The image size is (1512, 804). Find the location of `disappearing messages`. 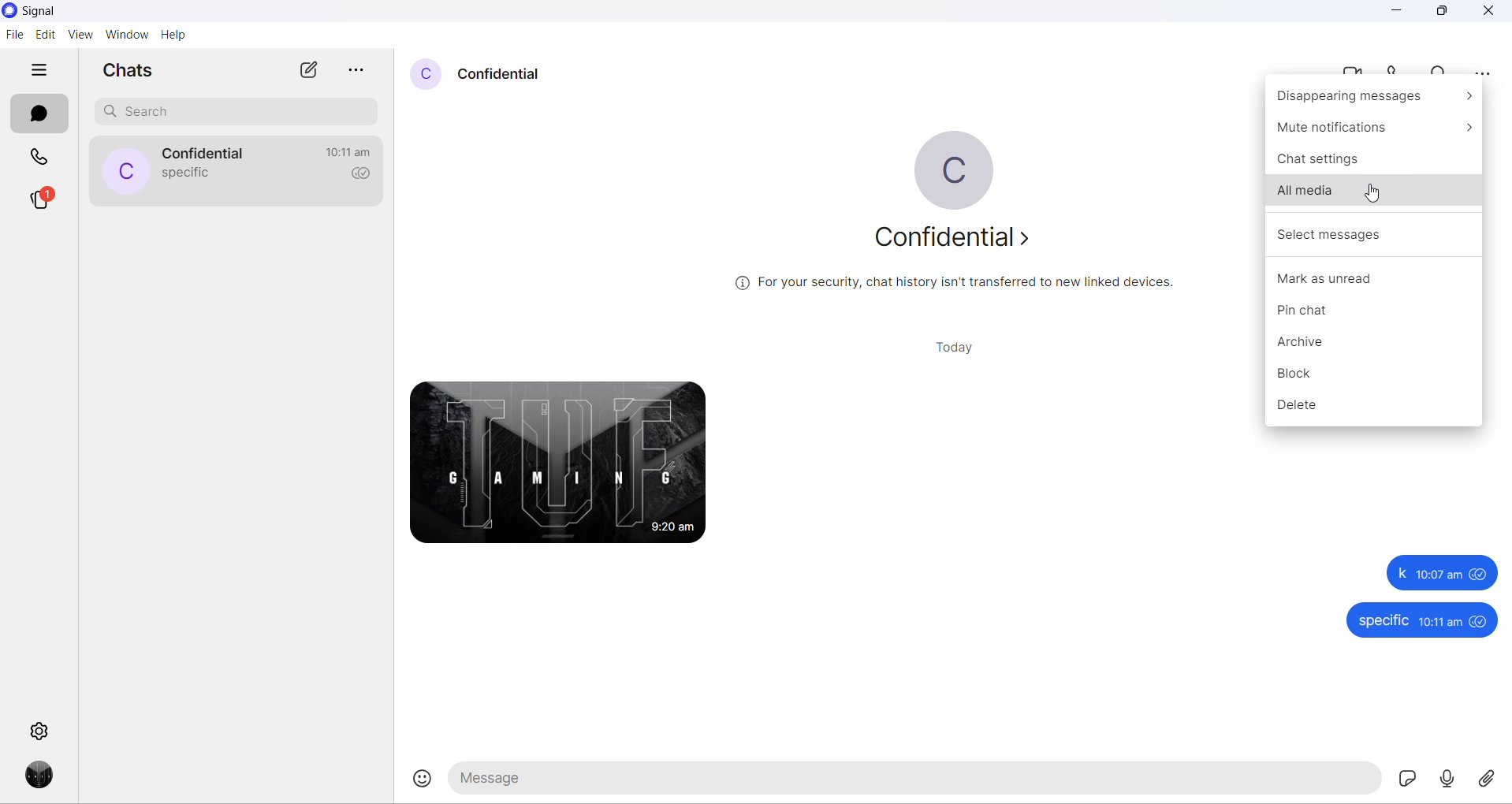

disappearing messages is located at coordinates (1372, 98).